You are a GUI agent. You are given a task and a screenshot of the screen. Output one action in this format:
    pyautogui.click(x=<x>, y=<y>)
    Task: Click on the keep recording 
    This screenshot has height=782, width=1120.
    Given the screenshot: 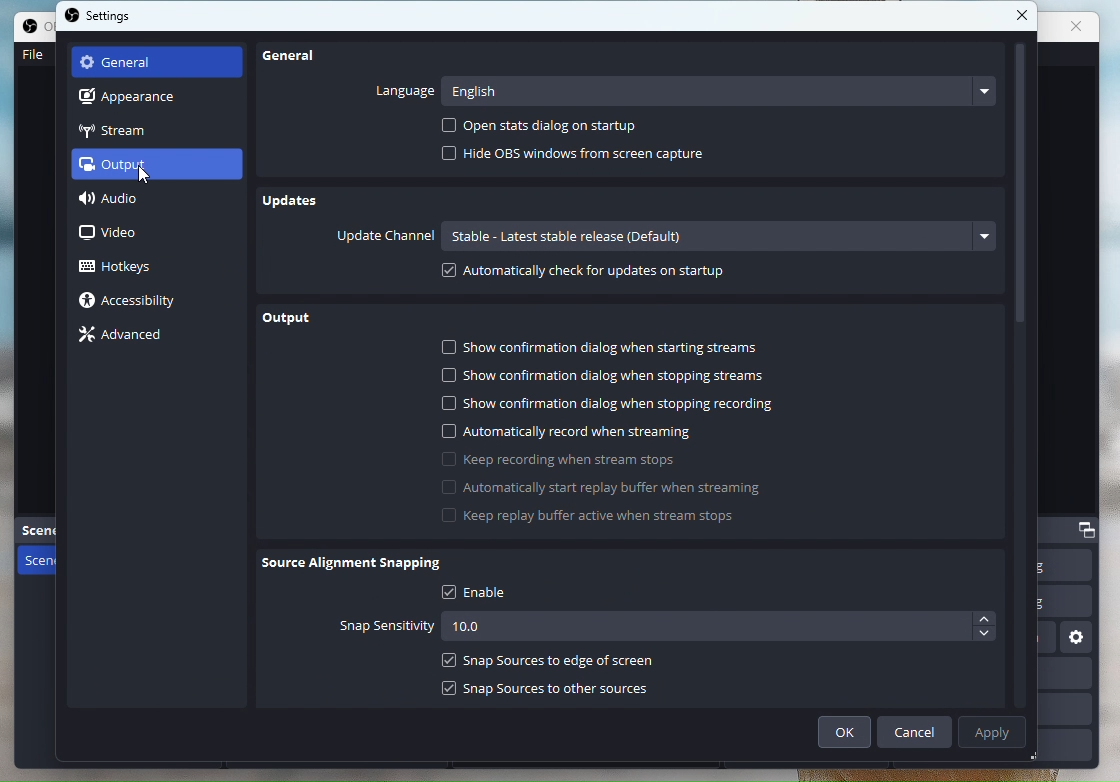 What is the action you would take?
    pyautogui.click(x=565, y=460)
    